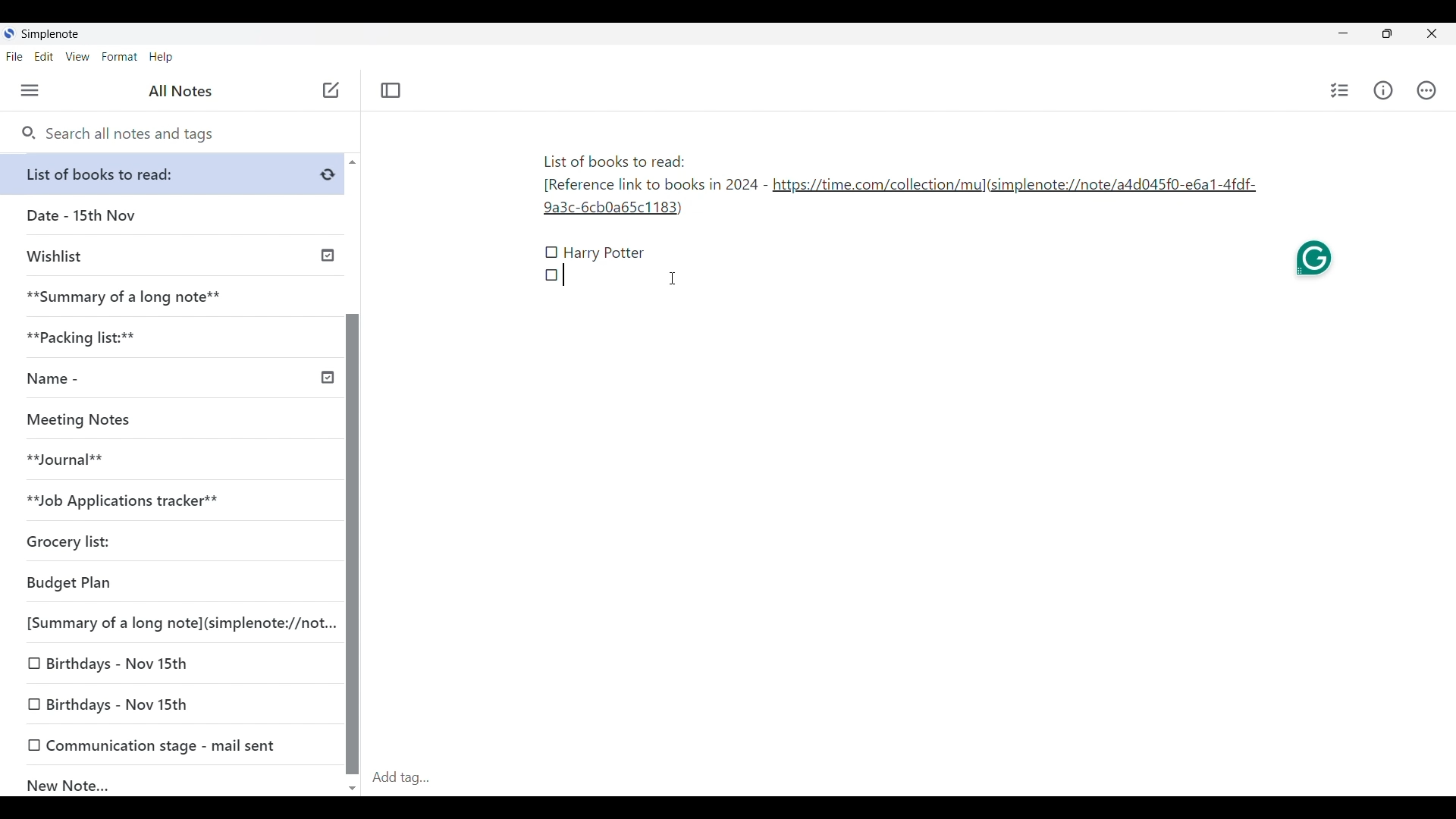 Image resolution: width=1456 pixels, height=819 pixels. What do you see at coordinates (49, 34) in the screenshot?
I see `Simplenote` at bounding box center [49, 34].